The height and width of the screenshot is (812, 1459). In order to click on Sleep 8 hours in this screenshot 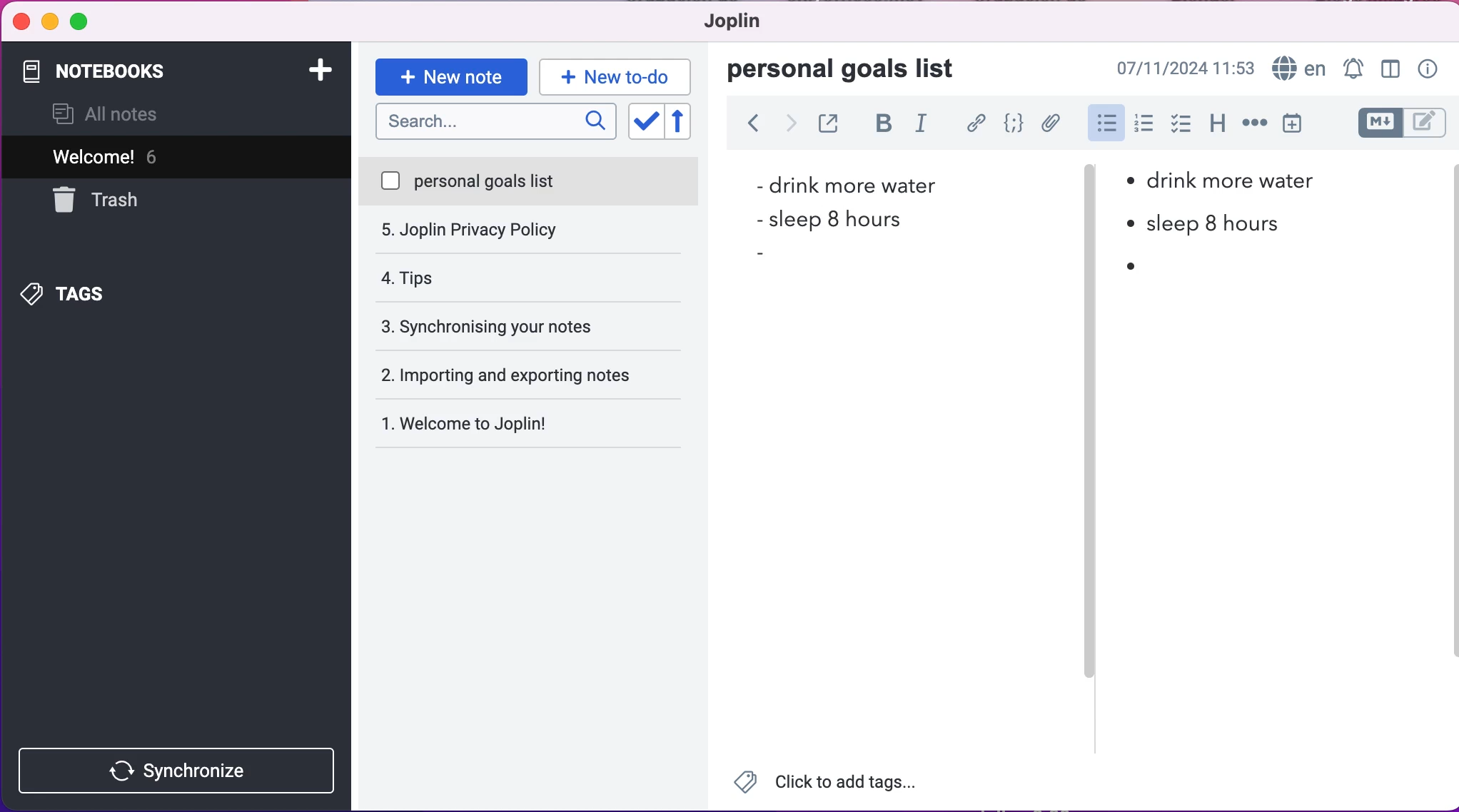, I will do `click(1208, 223)`.